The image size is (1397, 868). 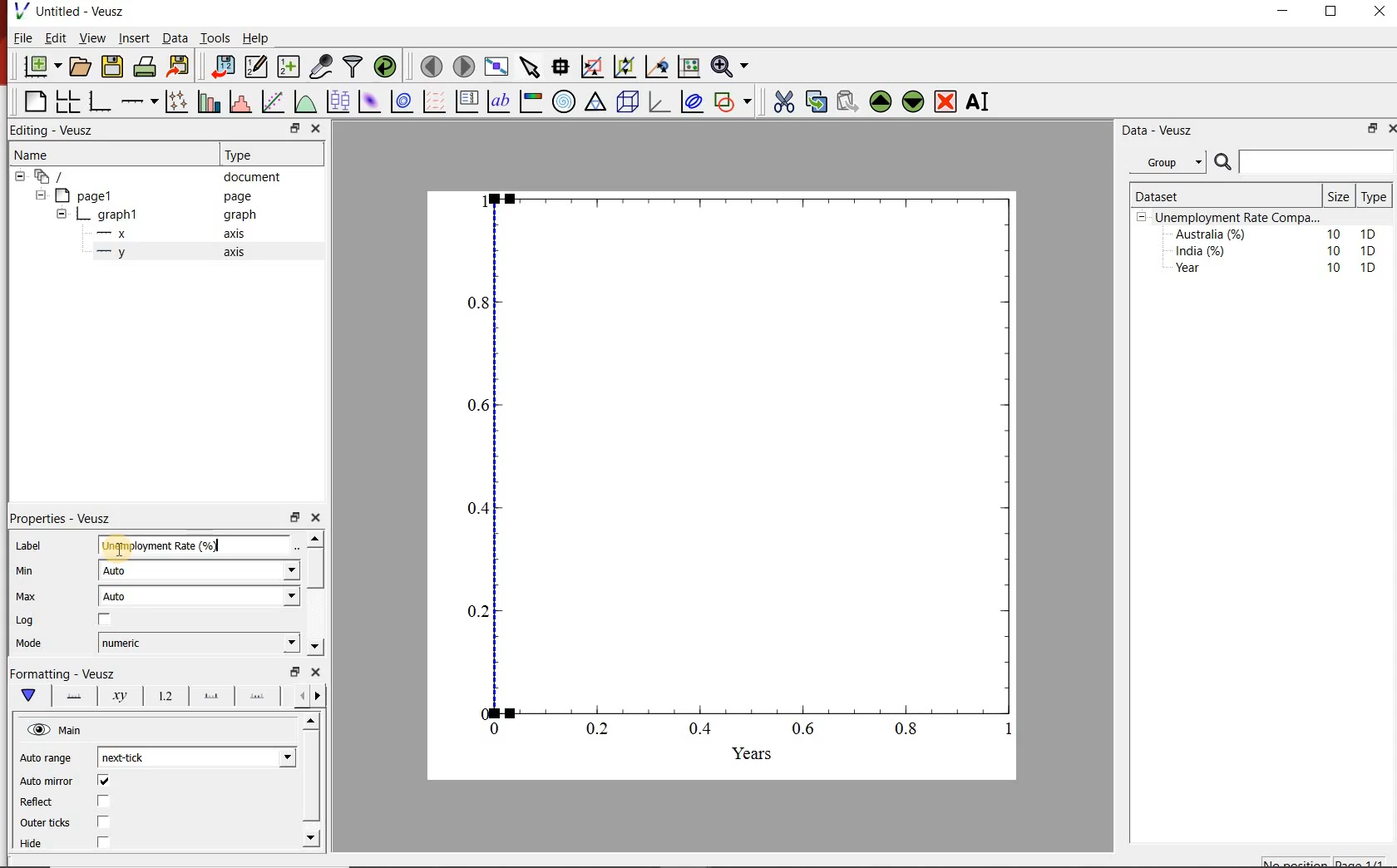 What do you see at coordinates (881, 101) in the screenshot?
I see `move the widgets up` at bounding box center [881, 101].